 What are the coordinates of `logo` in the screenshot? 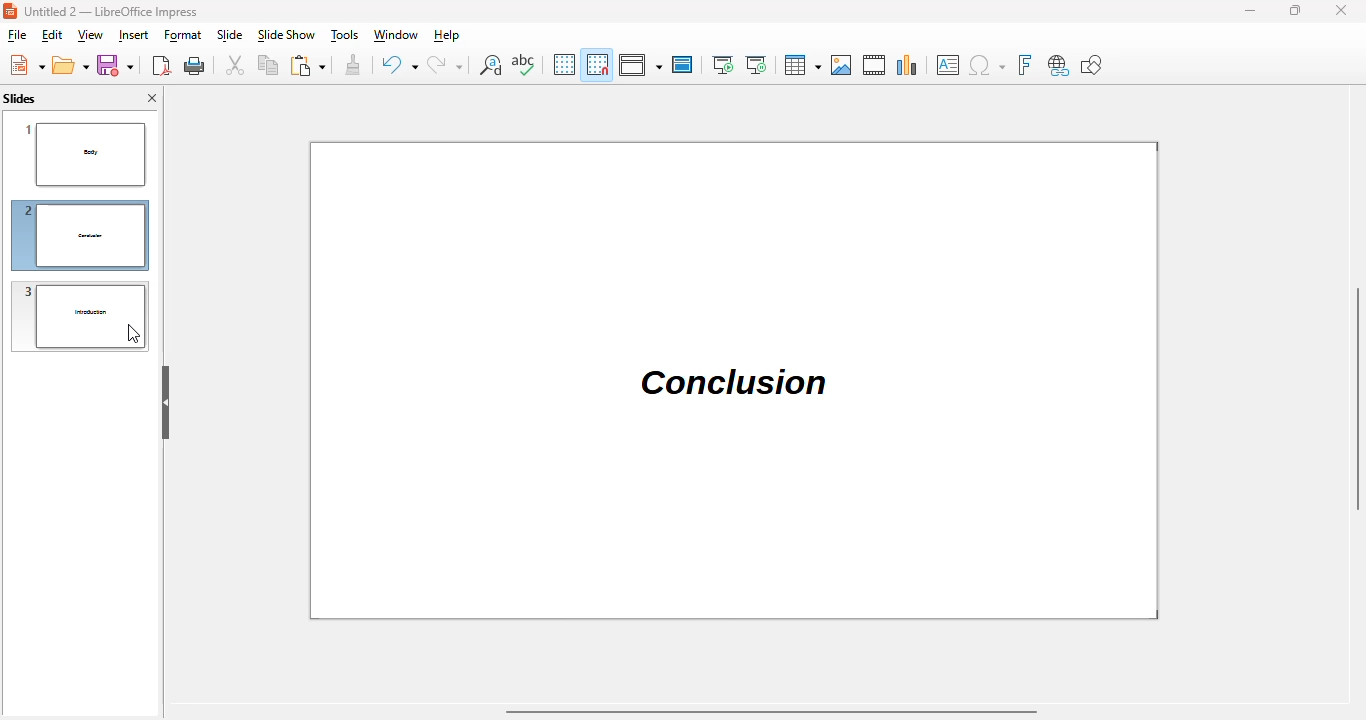 It's located at (10, 10).